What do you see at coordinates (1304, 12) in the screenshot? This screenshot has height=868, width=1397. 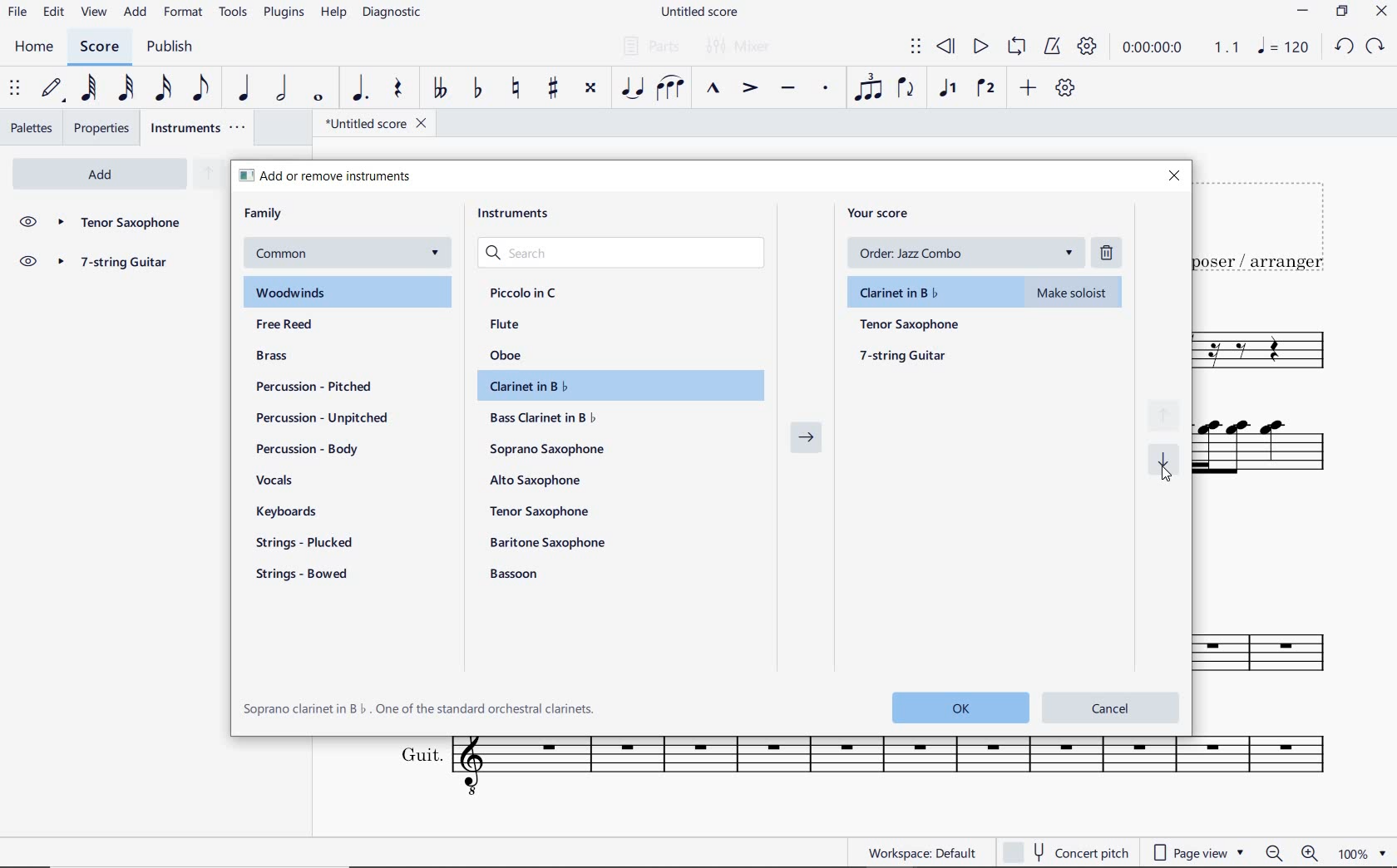 I see `MINIMIZE` at bounding box center [1304, 12].